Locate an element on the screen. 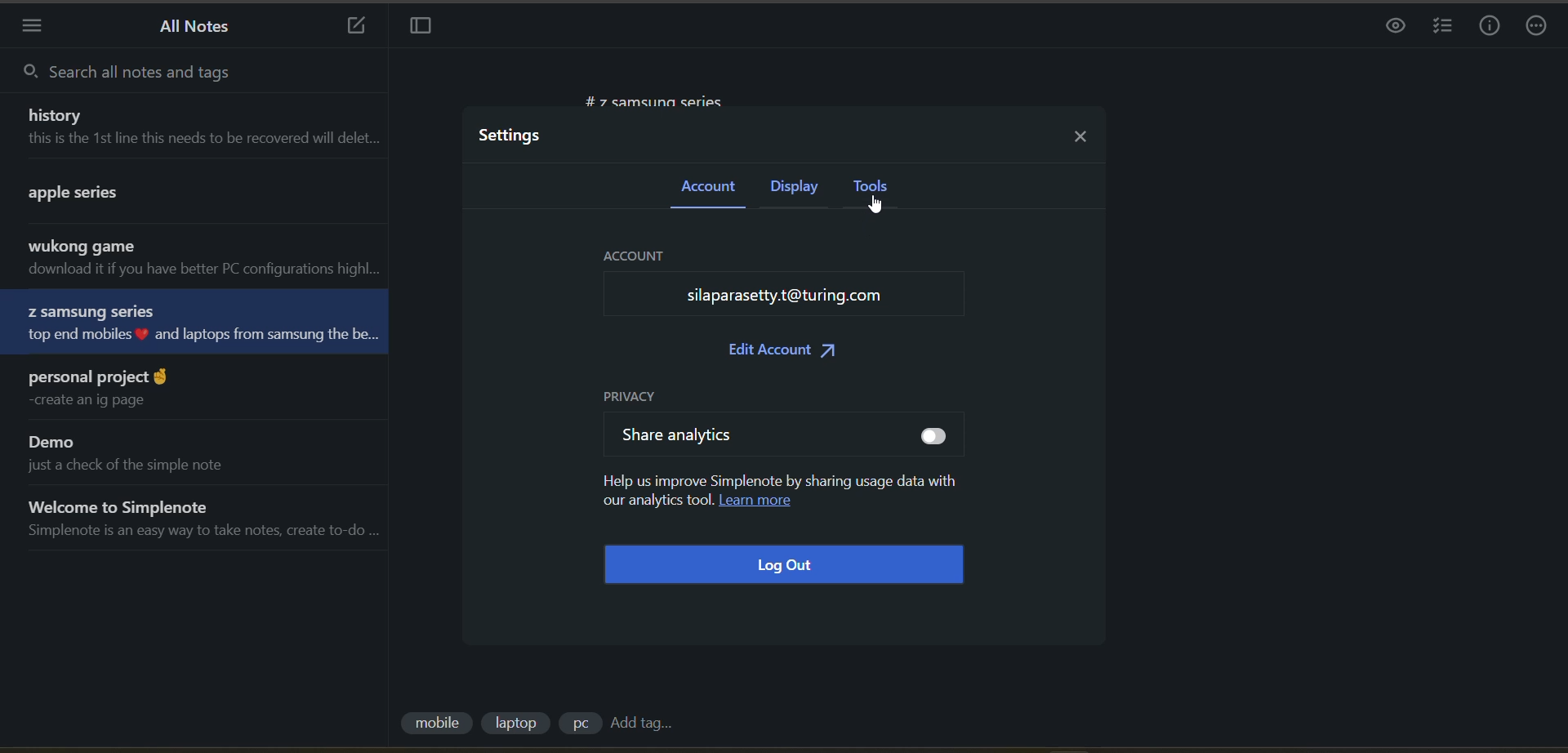  note title and preview is located at coordinates (187, 321).